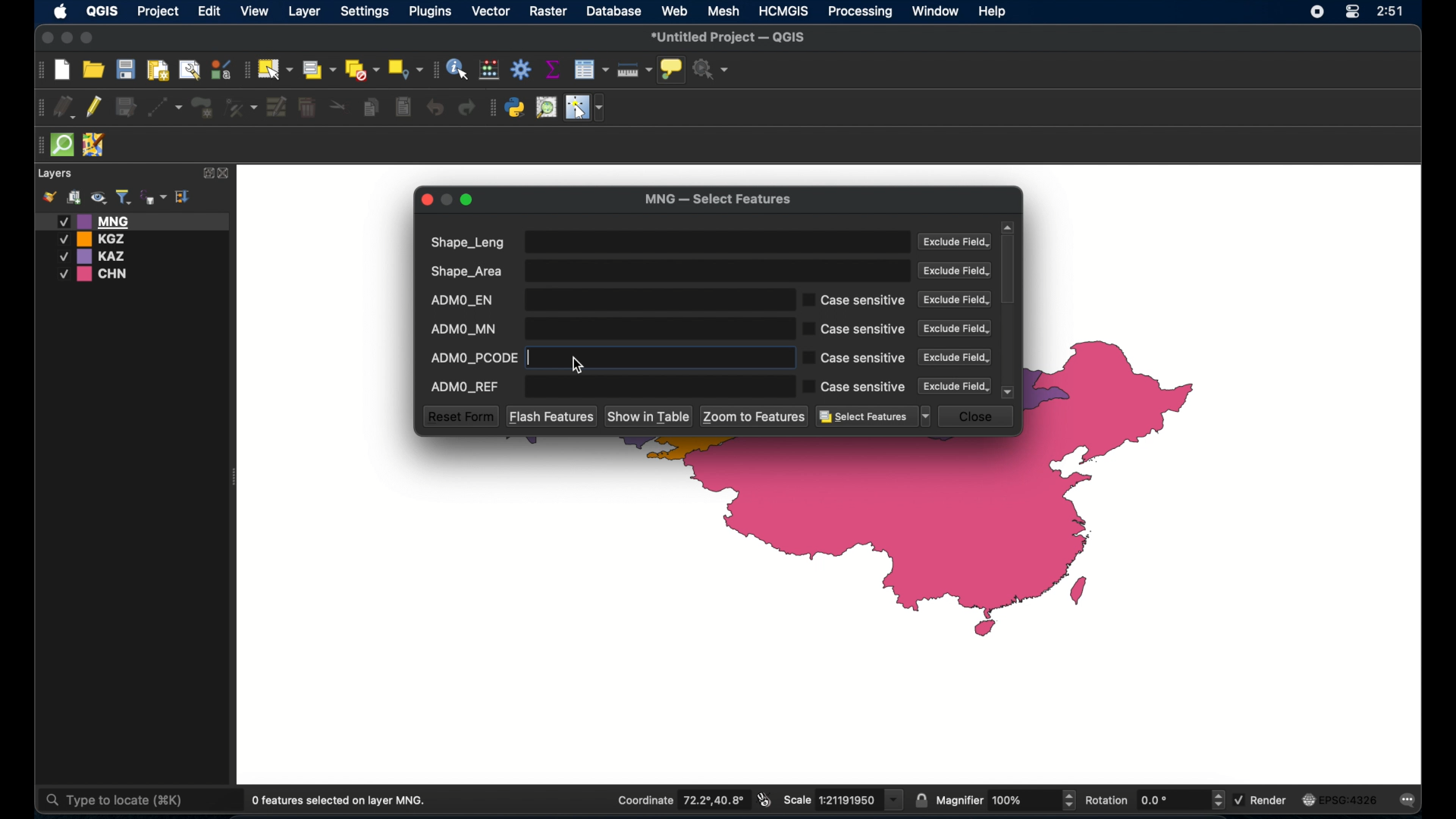 Image resolution: width=1456 pixels, height=819 pixels. I want to click on database, so click(613, 11).